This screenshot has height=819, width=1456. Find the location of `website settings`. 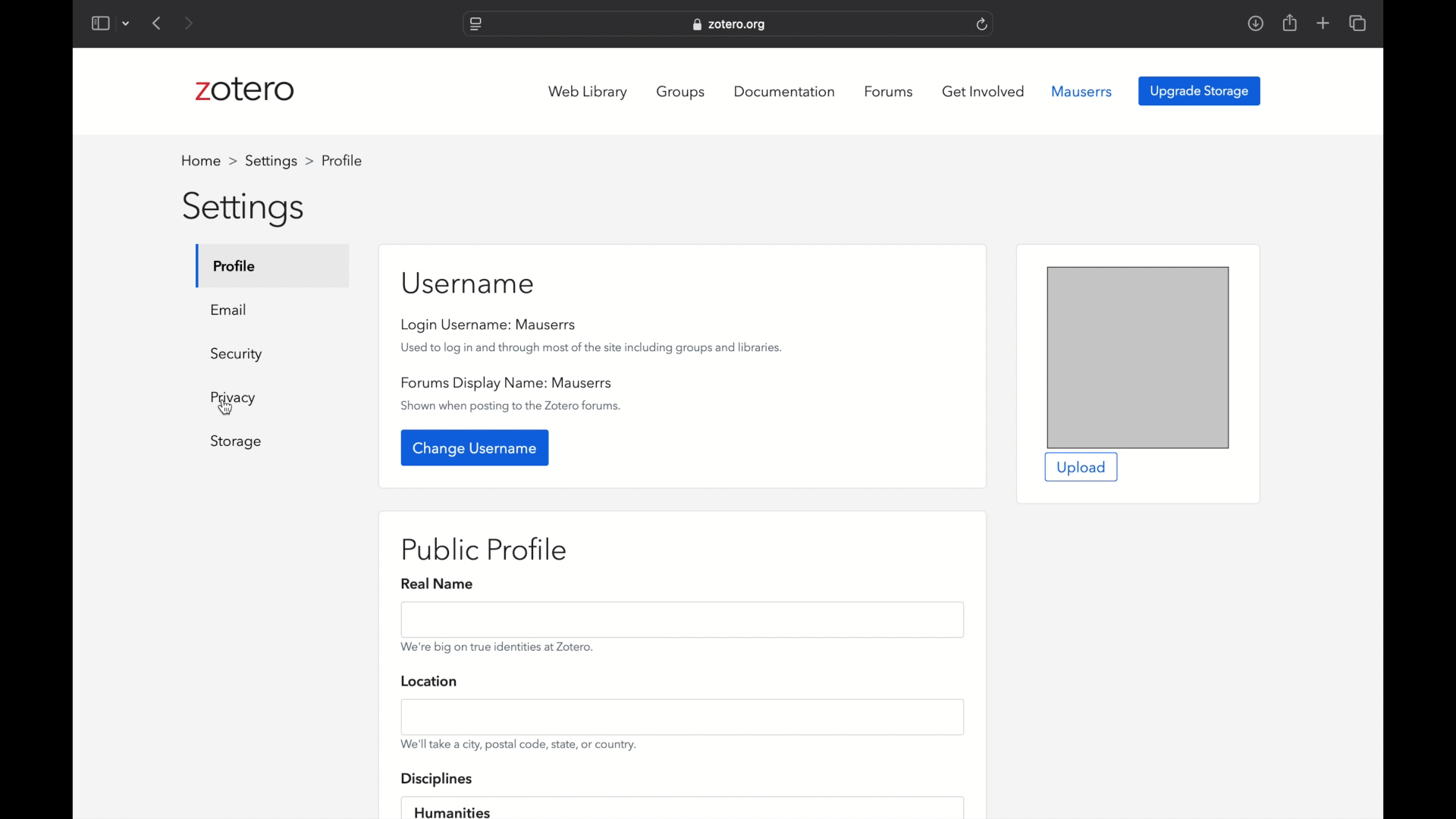

website settings is located at coordinates (476, 25).